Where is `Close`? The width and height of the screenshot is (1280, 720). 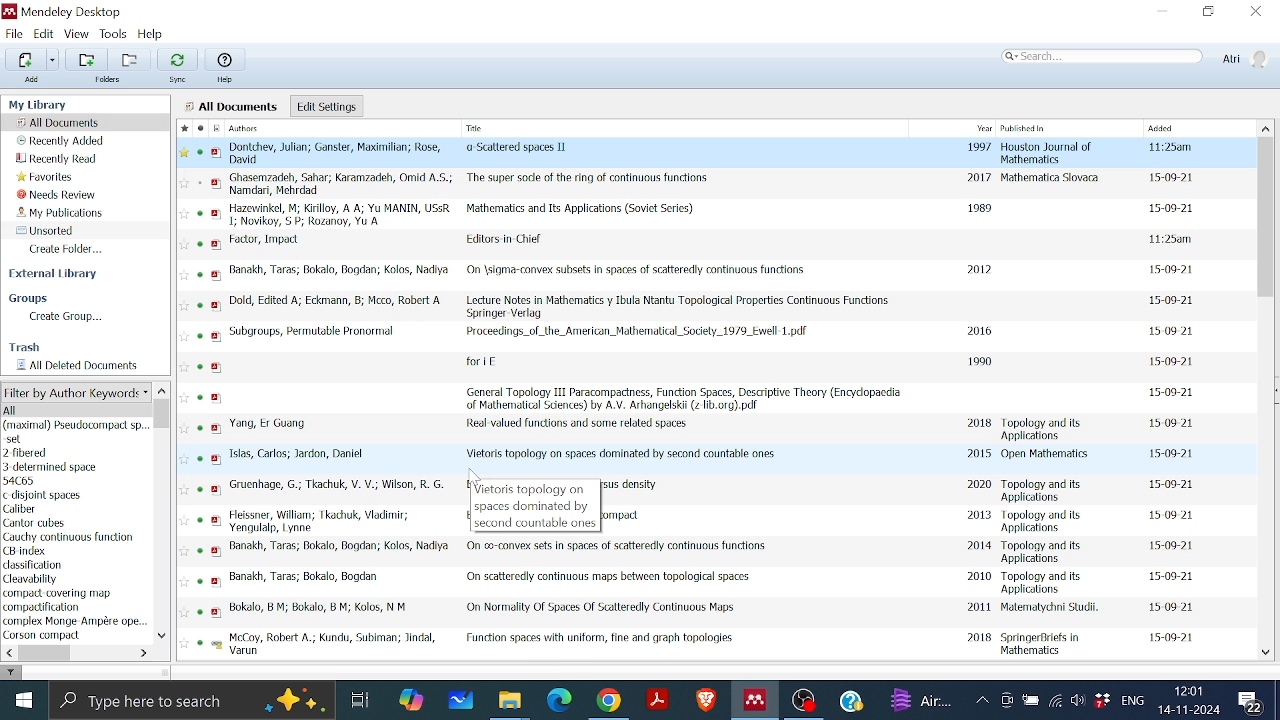
Close is located at coordinates (1259, 12).